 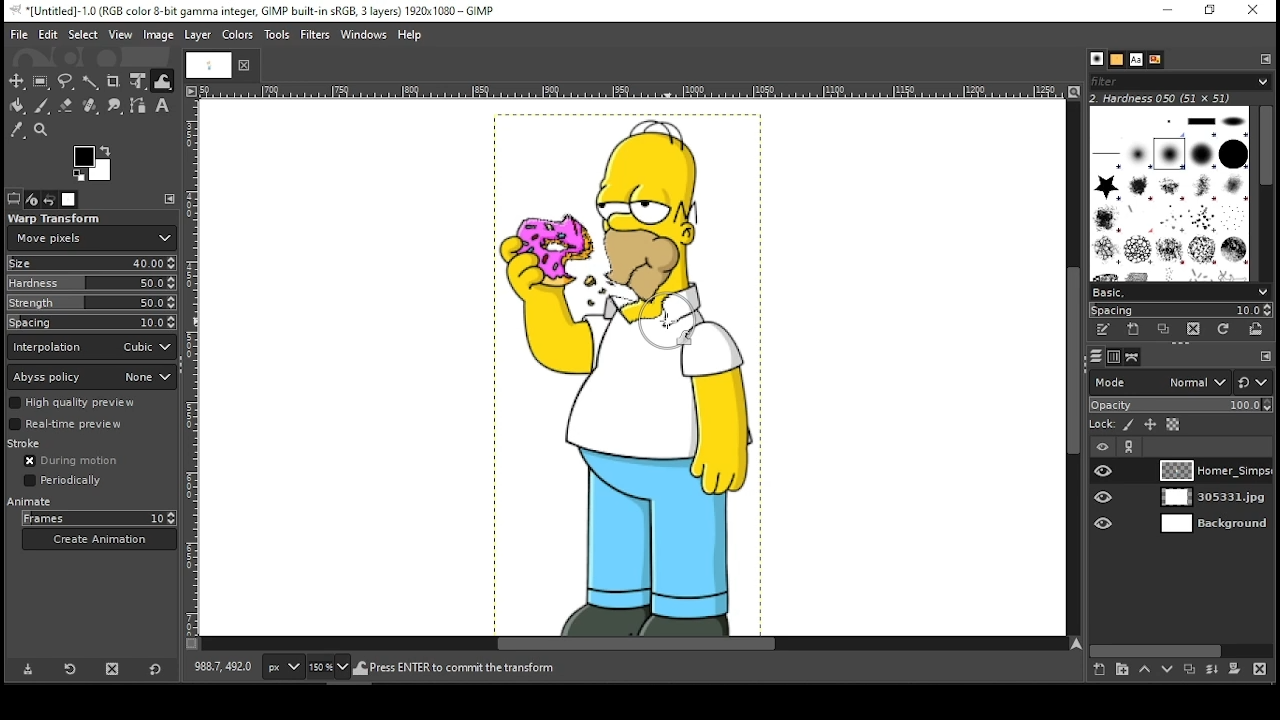 What do you see at coordinates (1188, 671) in the screenshot?
I see `duplicate layer` at bounding box center [1188, 671].